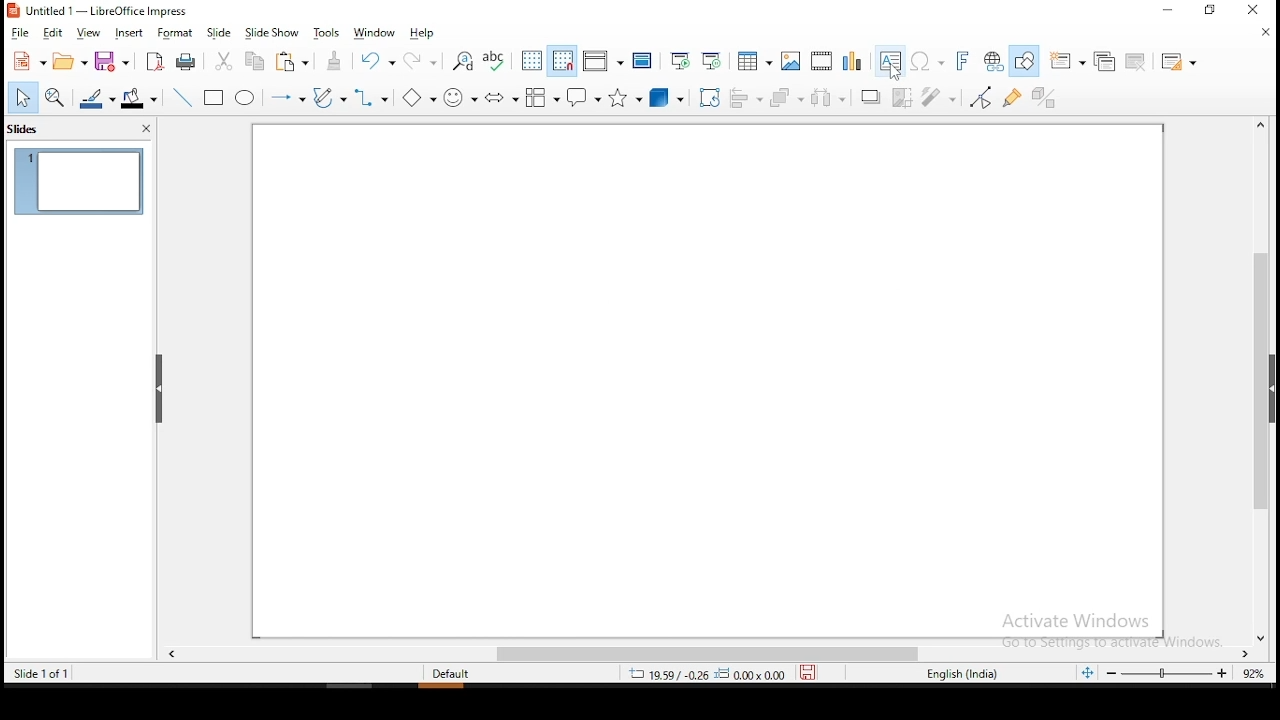 This screenshot has width=1280, height=720. Describe the element at coordinates (339, 63) in the screenshot. I see `clone formatting` at that location.